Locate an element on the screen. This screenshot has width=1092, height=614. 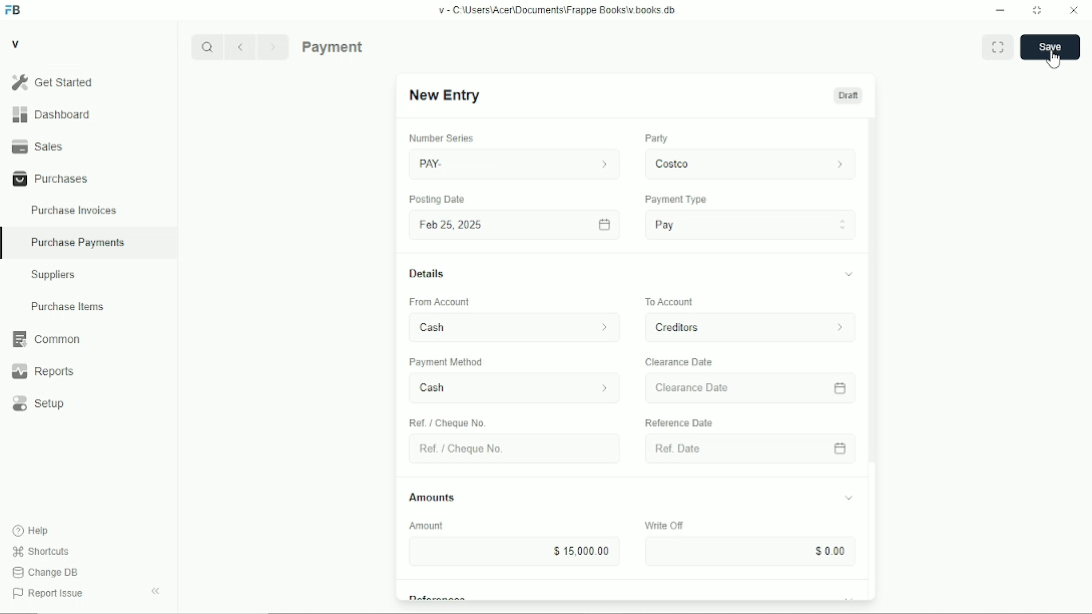
Gel Started is located at coordinates (88, 82).